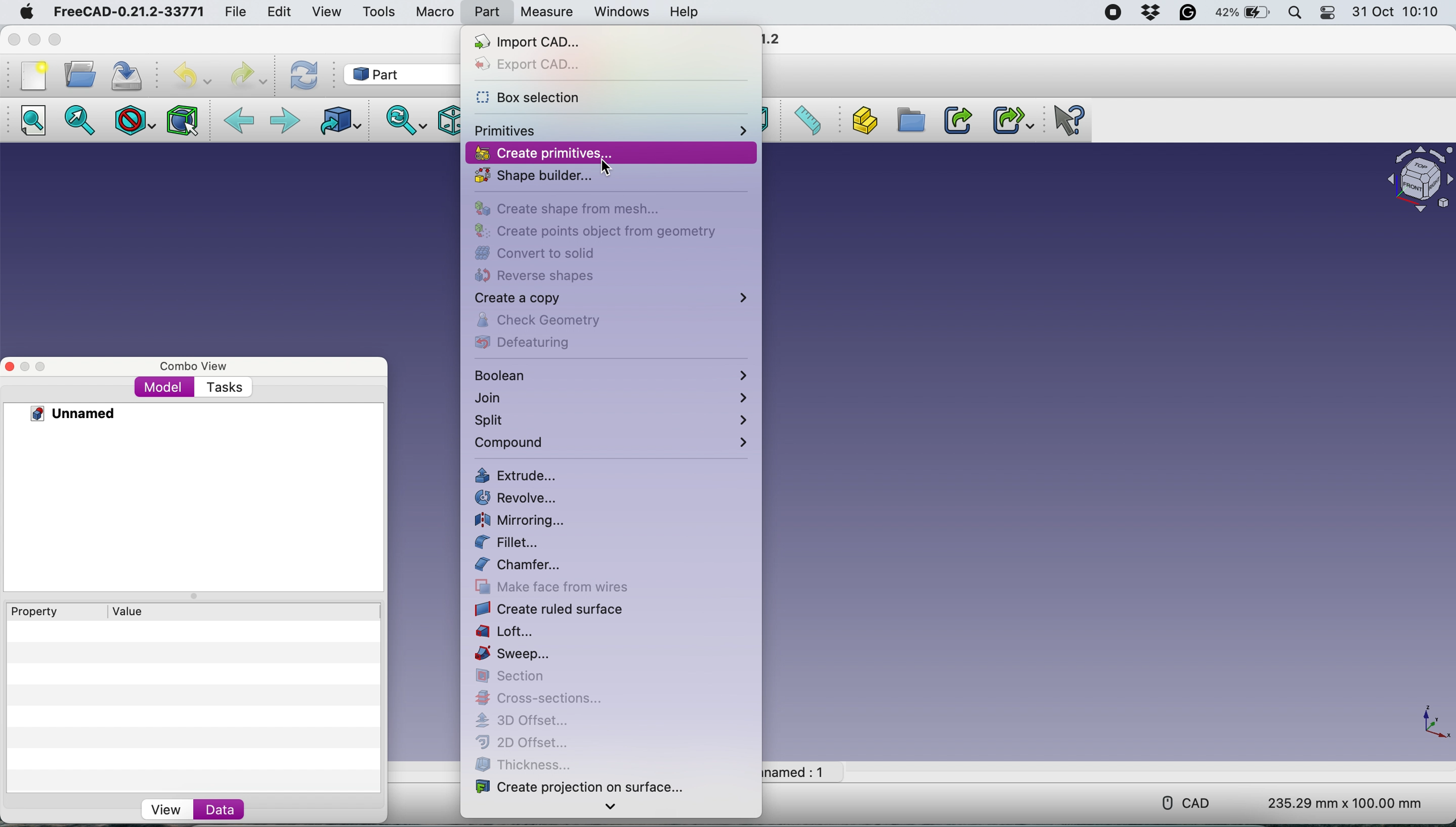 This screenshot has height=827, width=1456. I want to click on Go to linked object, so click(338, 118).